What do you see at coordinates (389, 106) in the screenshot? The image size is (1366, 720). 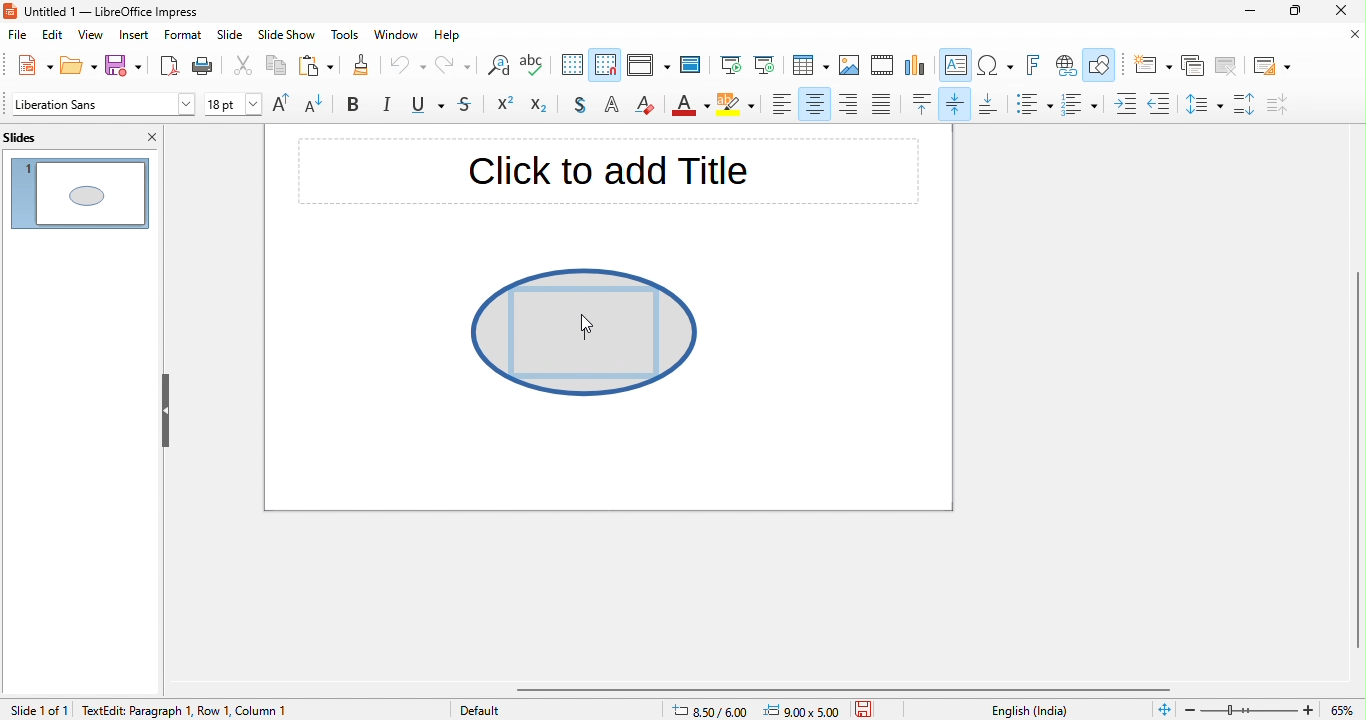 I see `italics` at bounding box center [389, 106].